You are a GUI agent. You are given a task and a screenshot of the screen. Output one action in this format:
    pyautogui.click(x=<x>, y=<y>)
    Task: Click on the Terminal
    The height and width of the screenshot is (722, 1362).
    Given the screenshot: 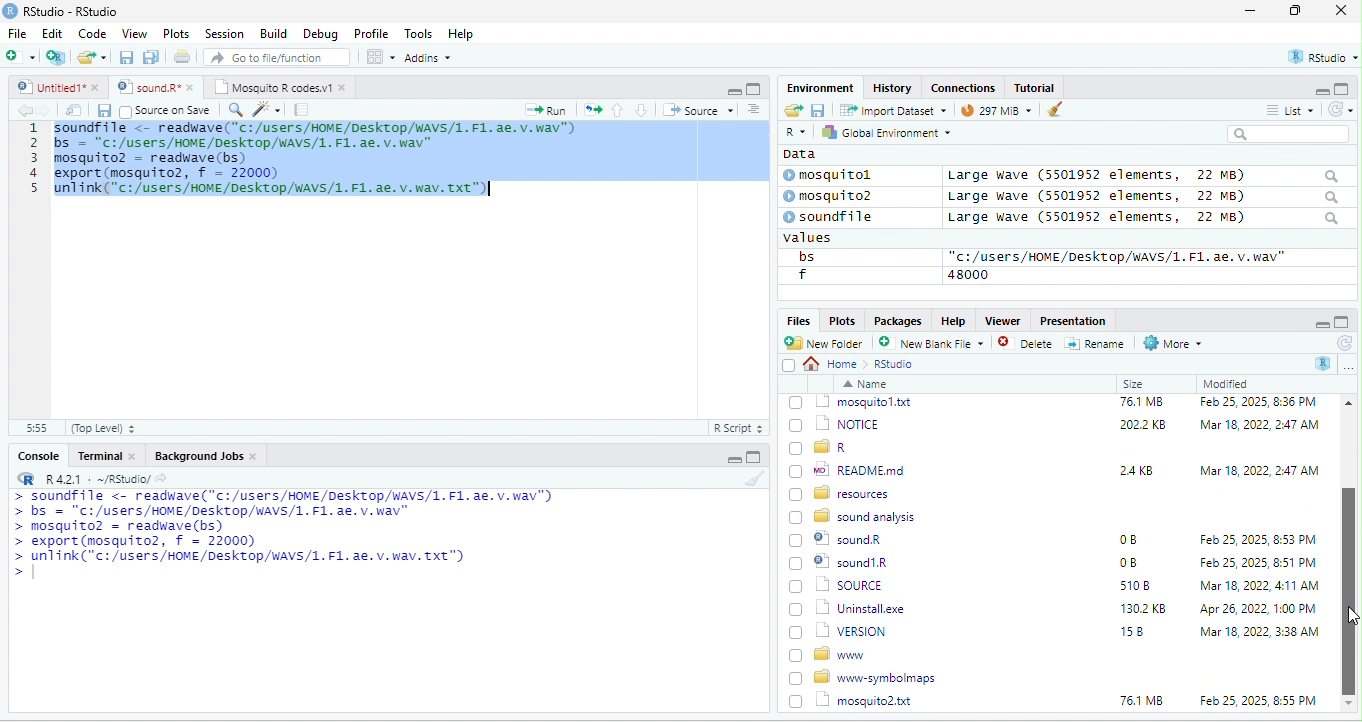 What is the action you would take?
    pyautogui.click(x=107, y=455)
    